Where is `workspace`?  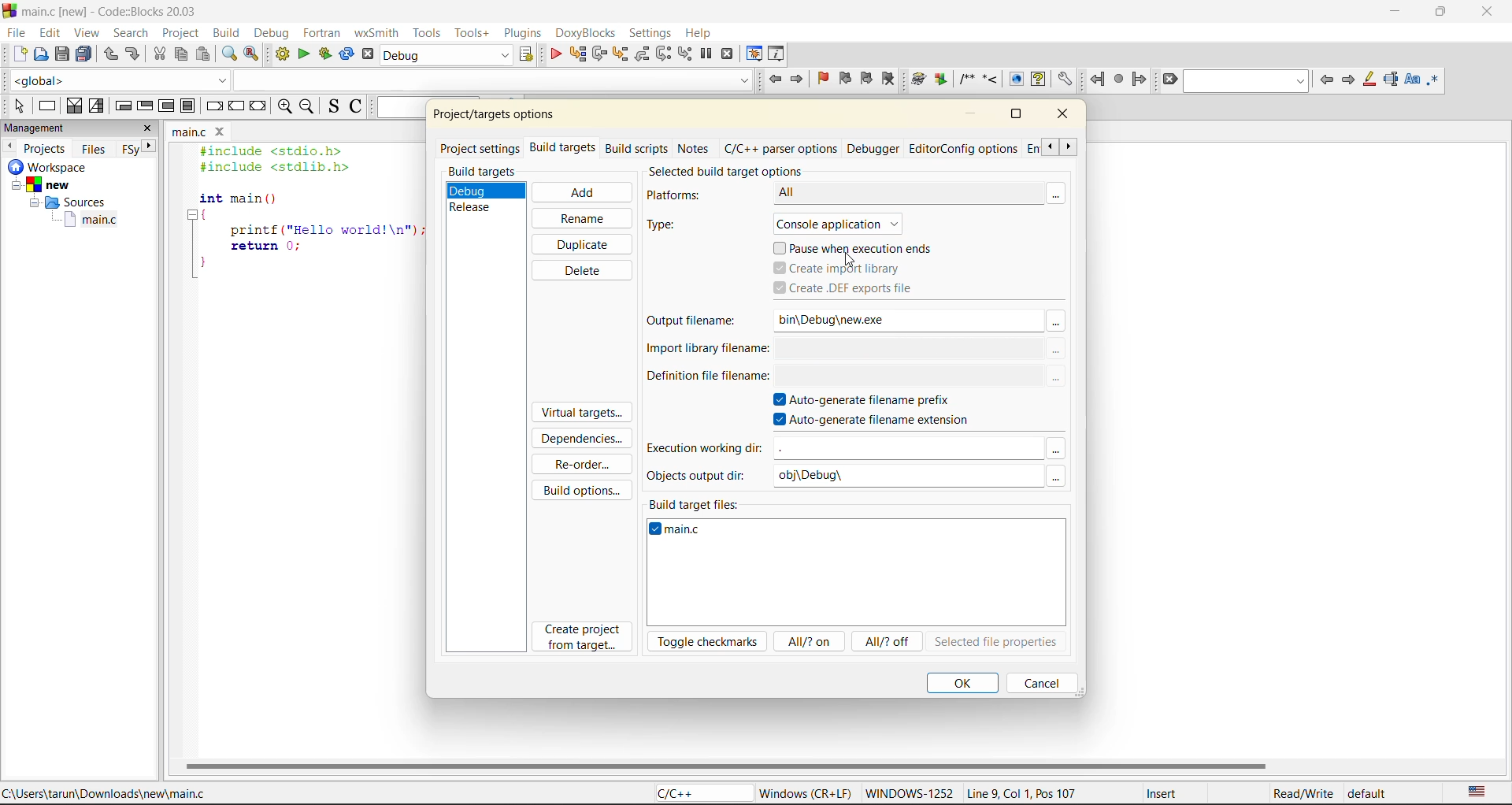
workspace is located at coordinates (51, 168).